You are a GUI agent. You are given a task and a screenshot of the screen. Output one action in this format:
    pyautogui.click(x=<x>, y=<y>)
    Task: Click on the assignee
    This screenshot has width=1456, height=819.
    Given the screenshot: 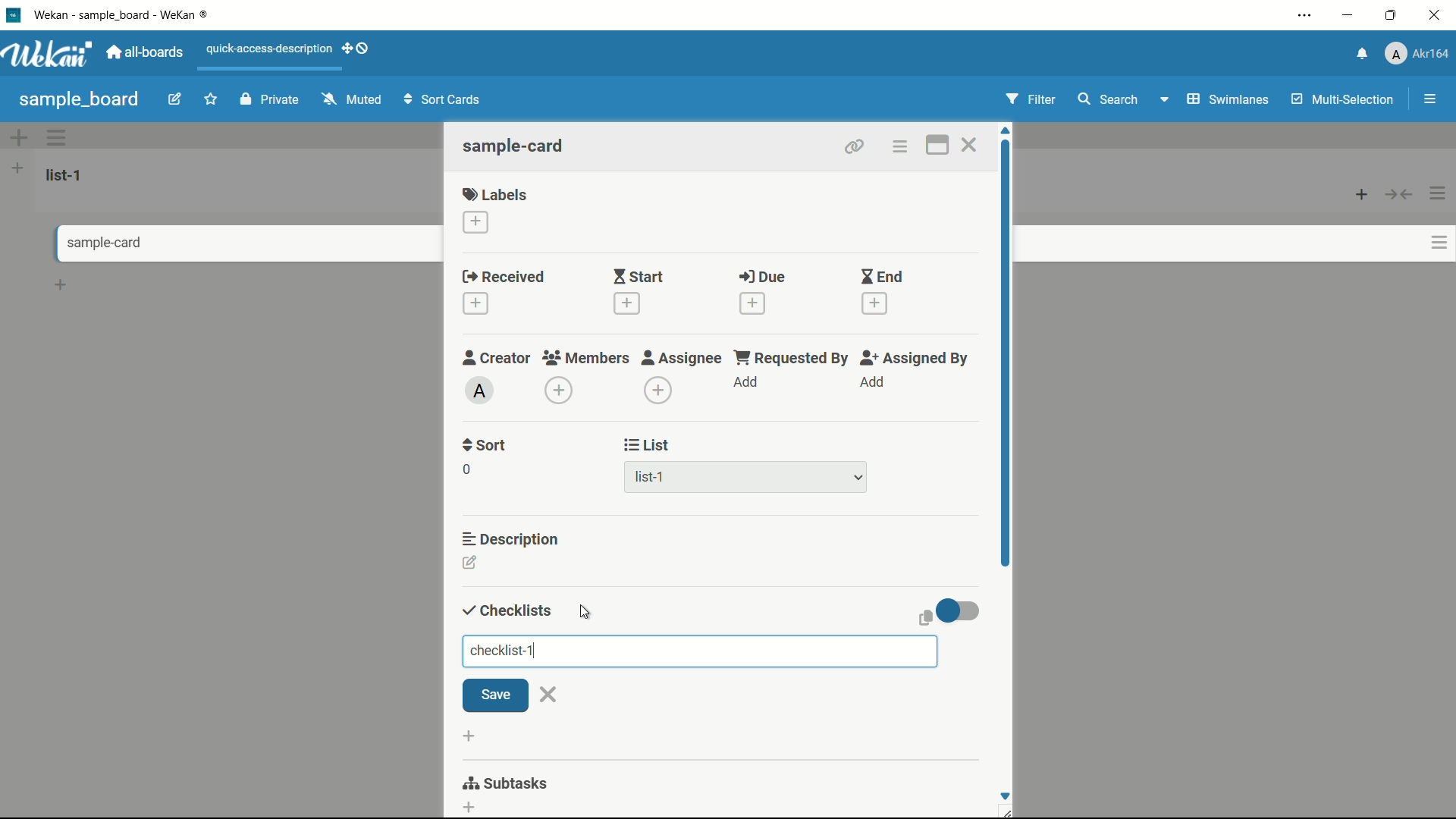 What is the action you would take?
    pyautogui.click(x=682, y=358)
    